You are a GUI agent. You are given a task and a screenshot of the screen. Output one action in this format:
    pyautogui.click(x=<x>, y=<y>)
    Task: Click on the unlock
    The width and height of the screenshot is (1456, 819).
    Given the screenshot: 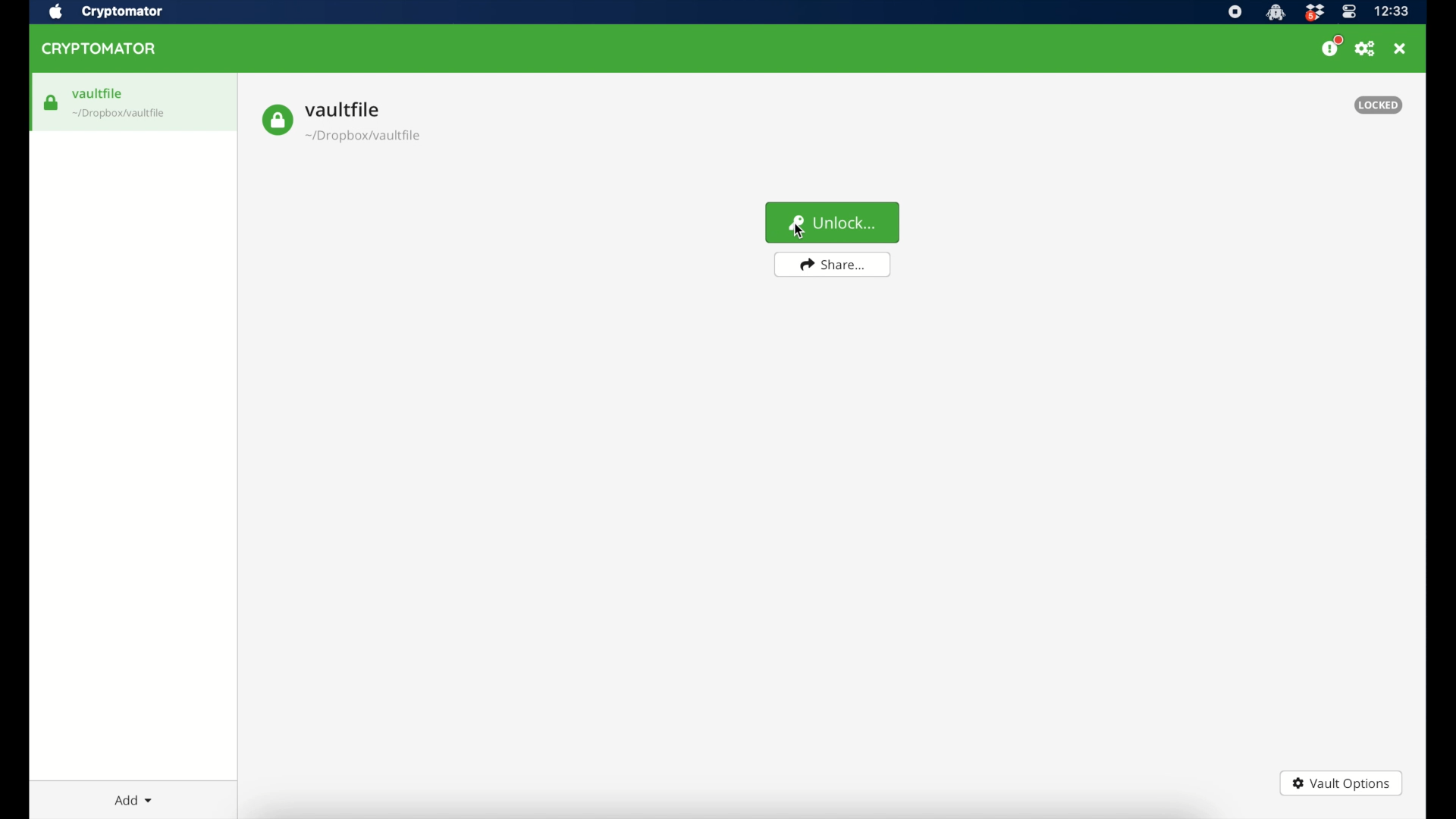 What is the action you would take?
    pyautogui.click(x=833, y=222)
    